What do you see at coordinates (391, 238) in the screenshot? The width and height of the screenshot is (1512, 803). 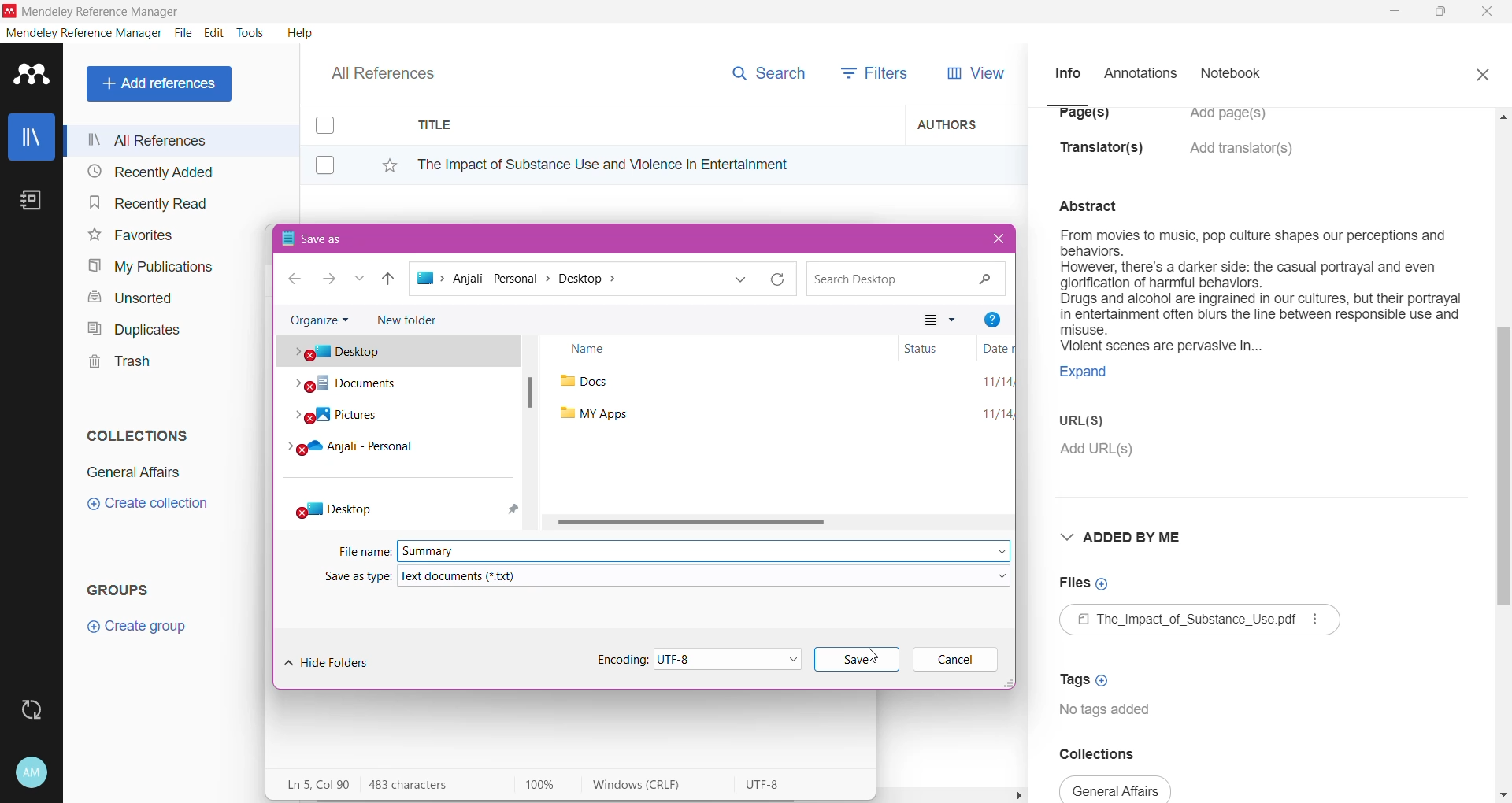 I see `Save As` at bounding box center [391, 238].